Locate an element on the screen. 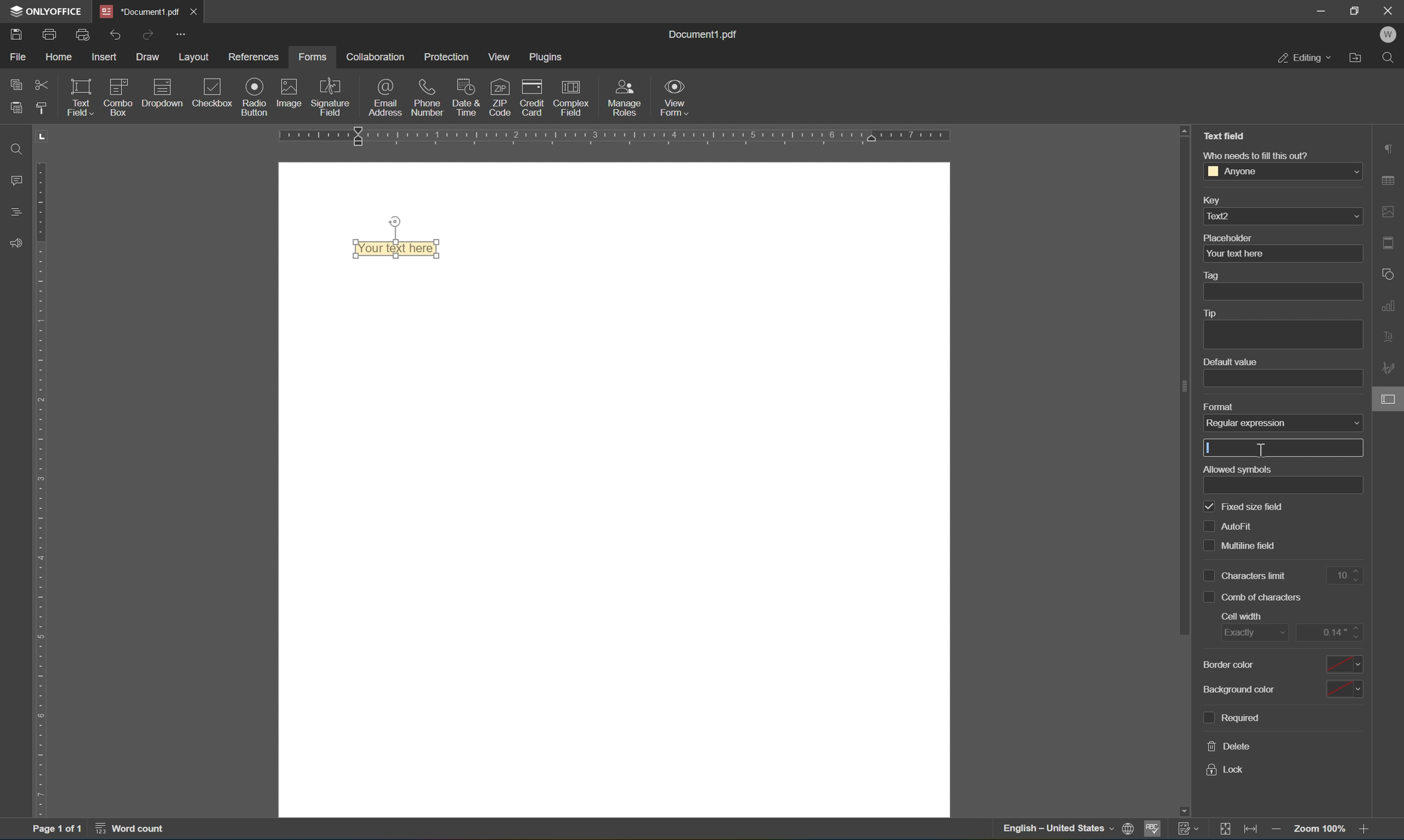  view form is located at coordinates (677, 97).